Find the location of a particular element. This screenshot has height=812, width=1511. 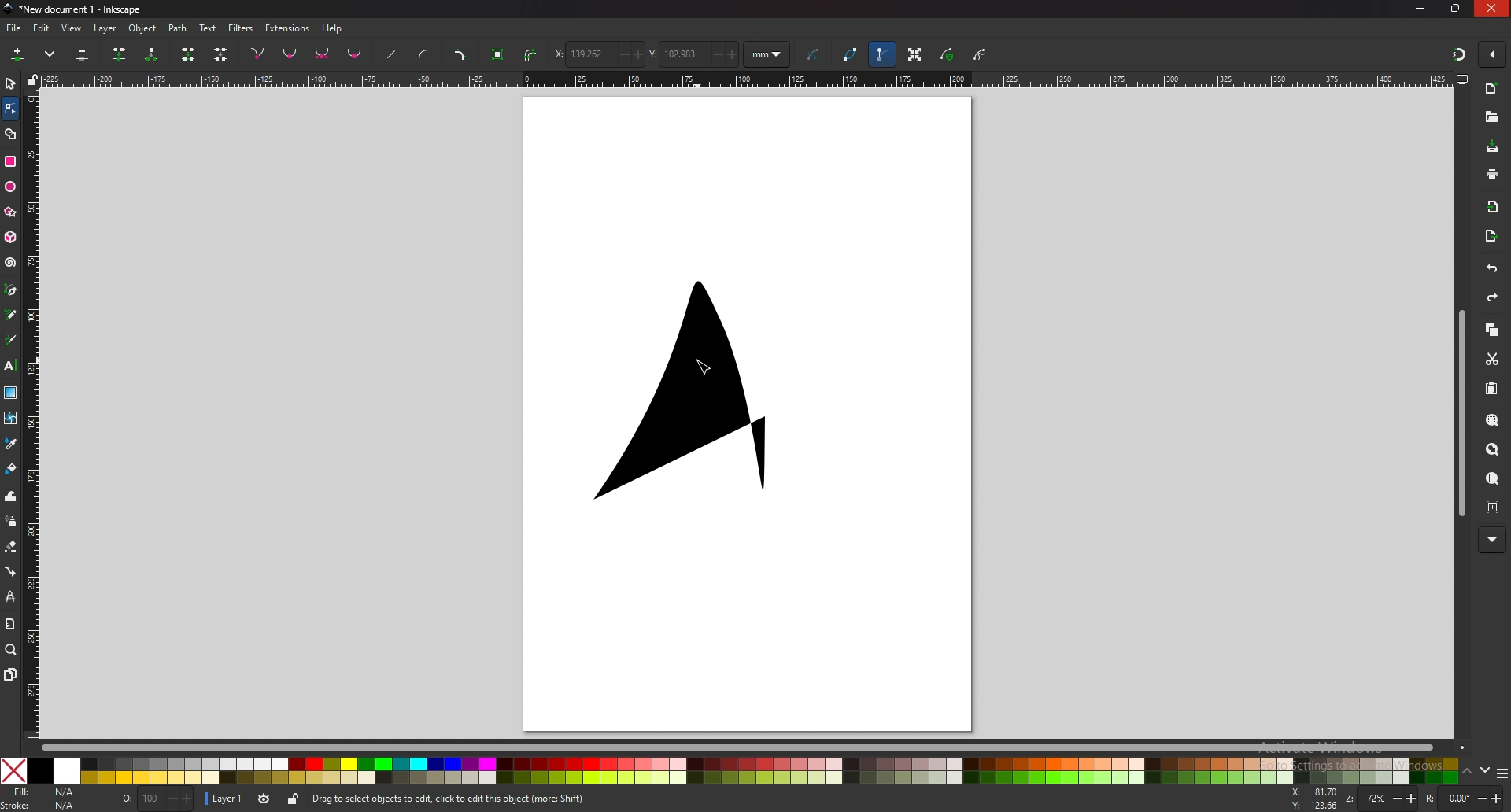

spray is located at coordinates (11, 521).